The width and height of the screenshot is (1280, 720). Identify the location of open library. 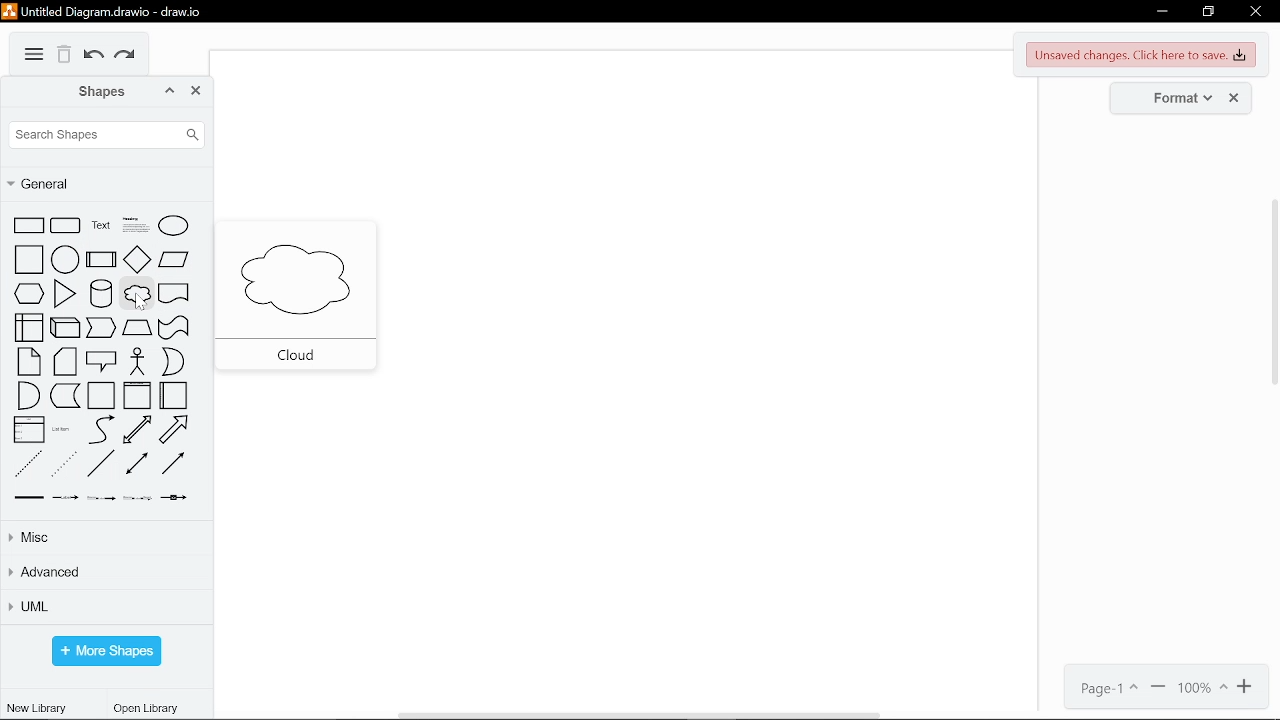
(147, 708).